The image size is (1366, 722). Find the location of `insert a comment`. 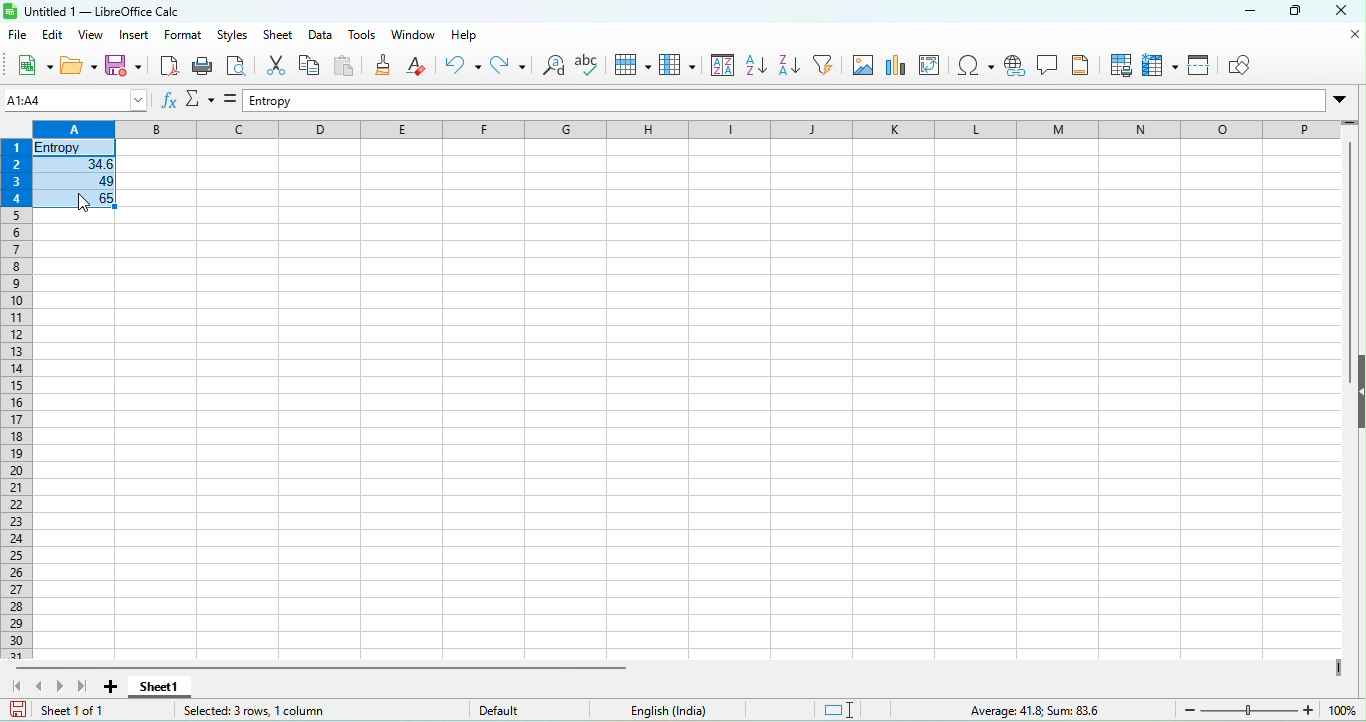

insert a comment is located at coordinates (1052, 67).